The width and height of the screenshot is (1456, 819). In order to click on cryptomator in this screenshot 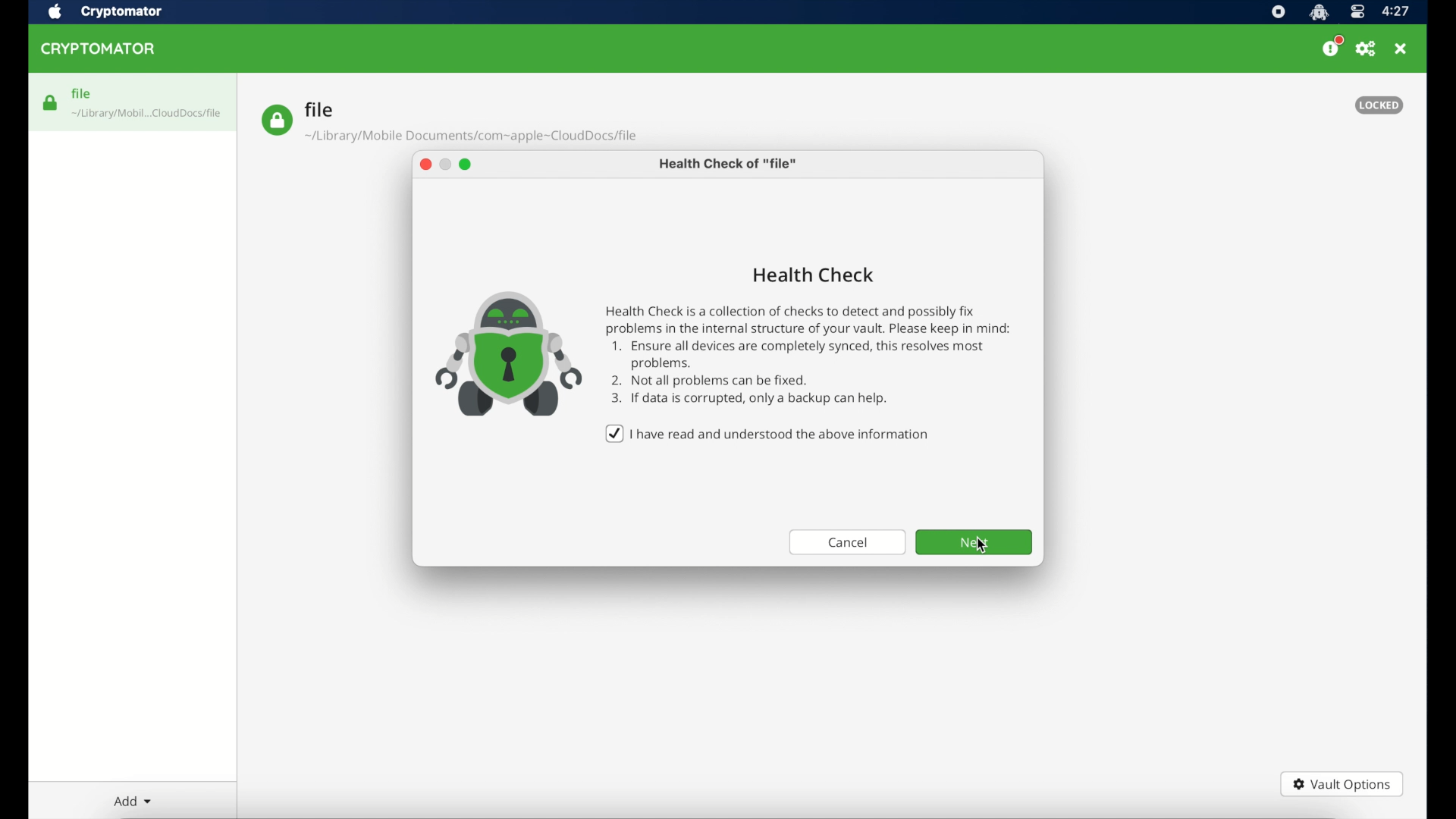, I will do `click(122, 11)`.